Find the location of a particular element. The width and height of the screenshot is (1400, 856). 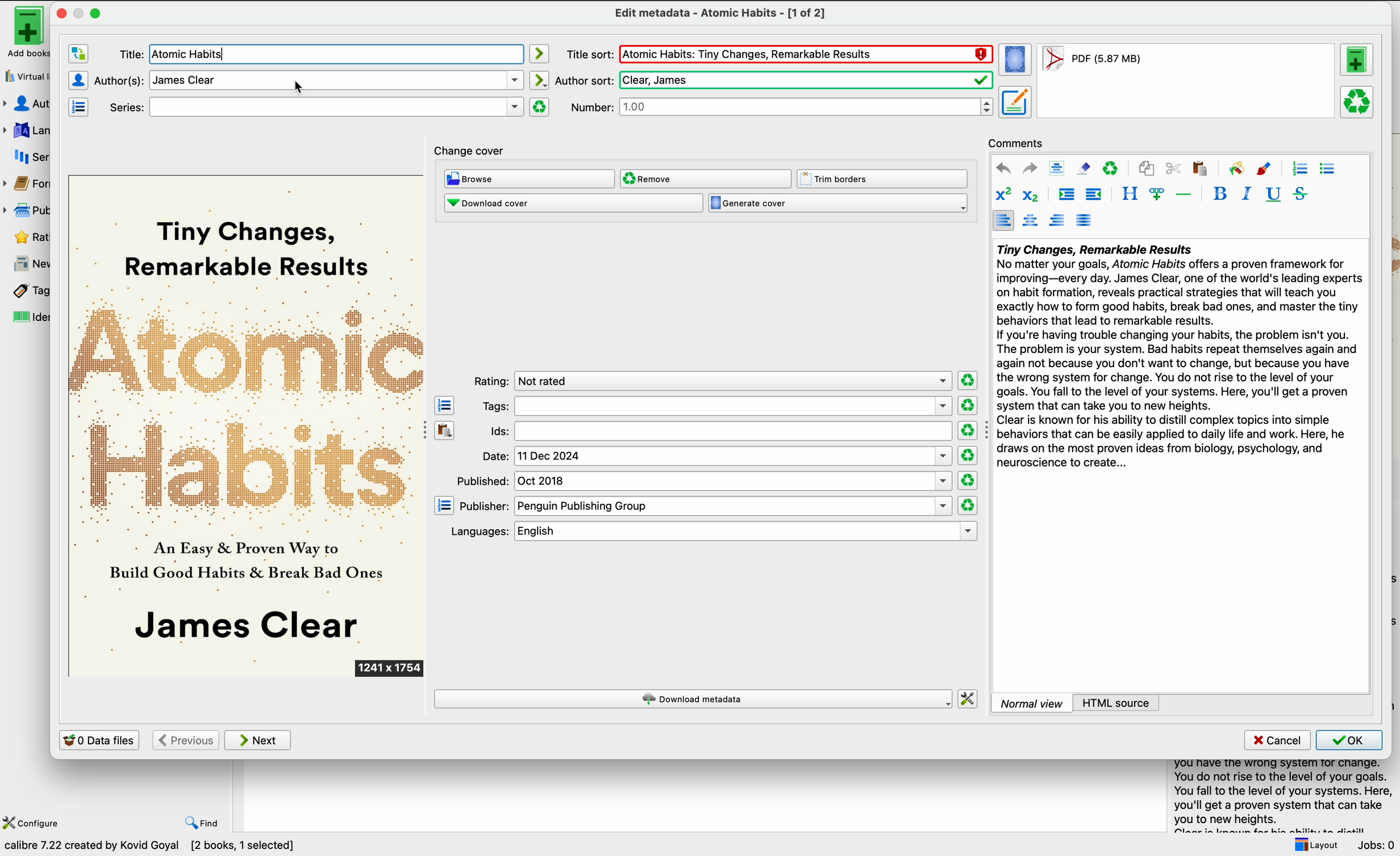

title is located at coordinates (125, 53).